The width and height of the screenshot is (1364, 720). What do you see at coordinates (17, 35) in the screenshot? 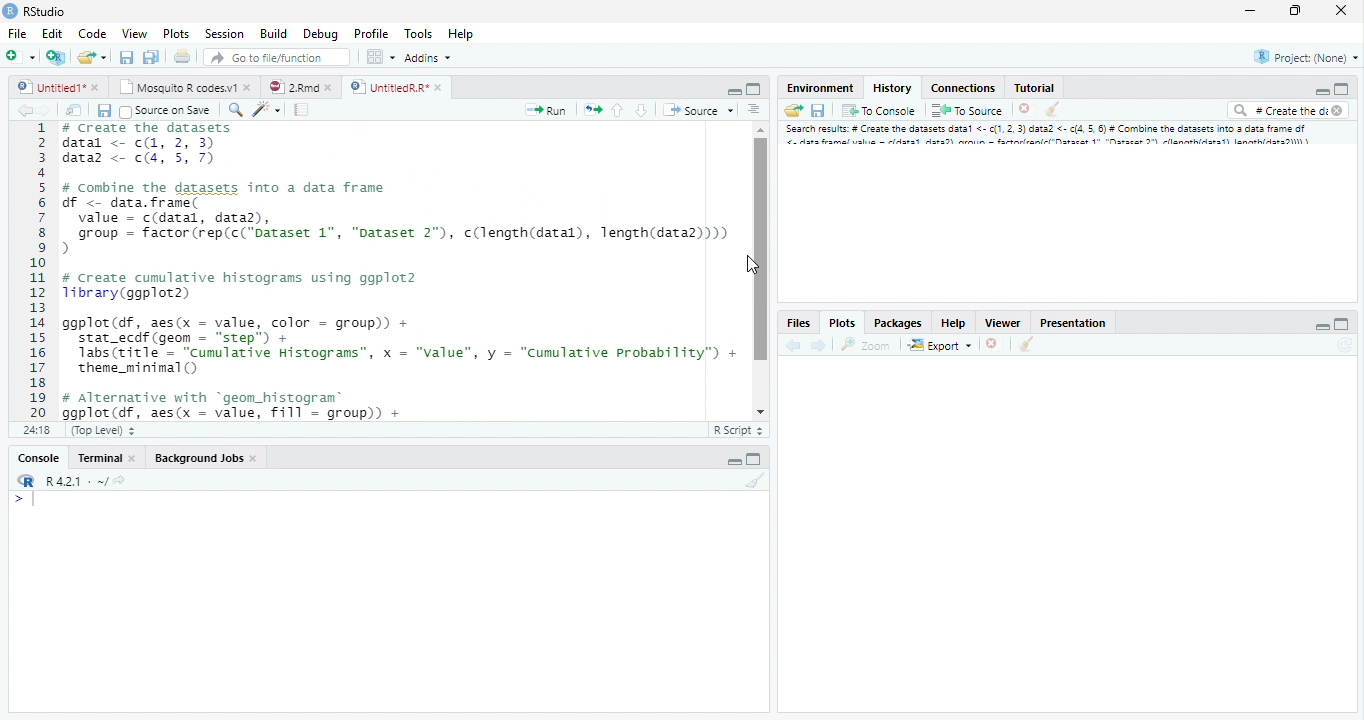
I see `File` at bounding box center [17, 35].